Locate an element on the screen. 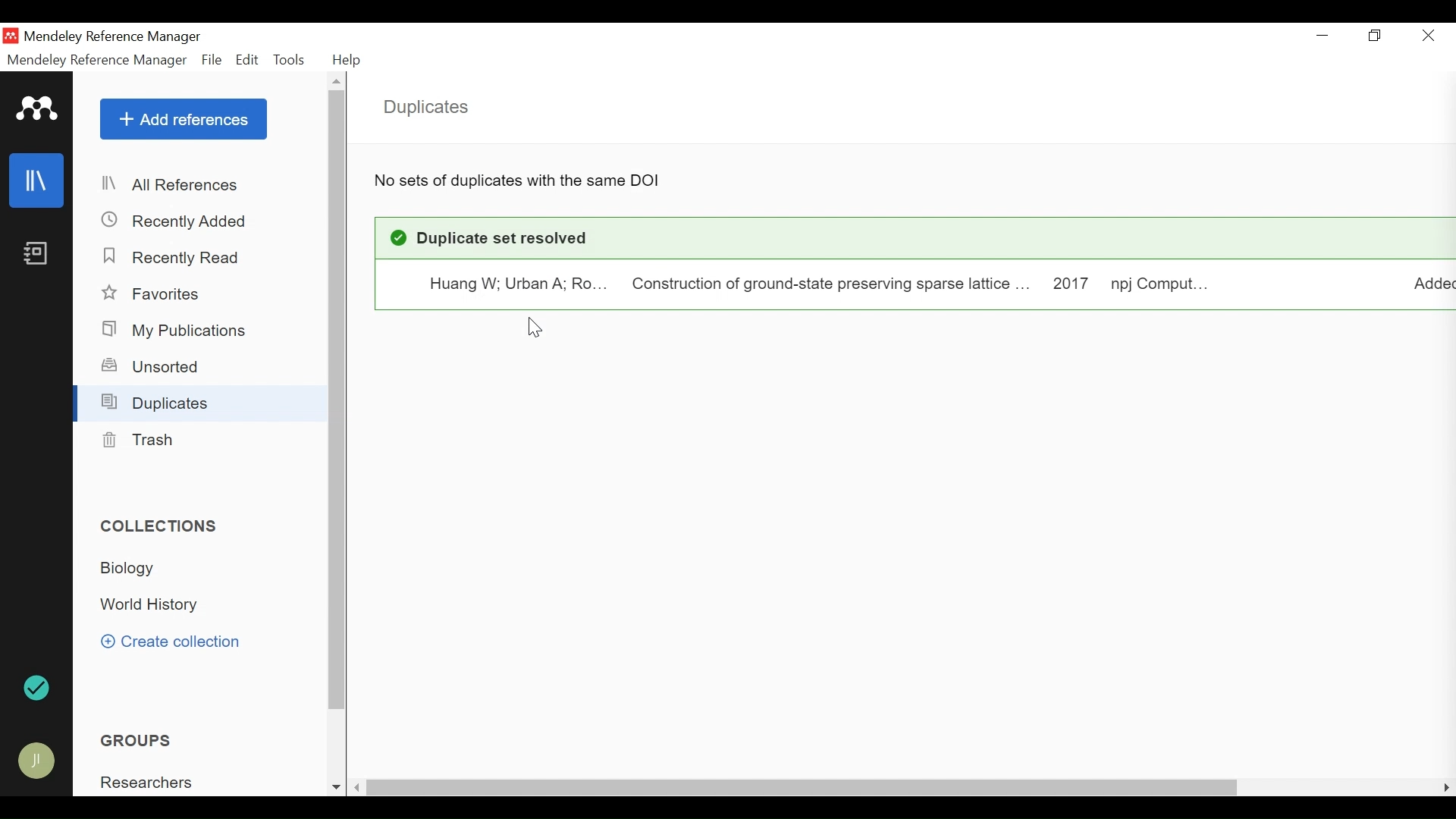 Image resolution: width=1456 pixels, height=819 pixels. Scroll down is located at coordinates (334, 789).